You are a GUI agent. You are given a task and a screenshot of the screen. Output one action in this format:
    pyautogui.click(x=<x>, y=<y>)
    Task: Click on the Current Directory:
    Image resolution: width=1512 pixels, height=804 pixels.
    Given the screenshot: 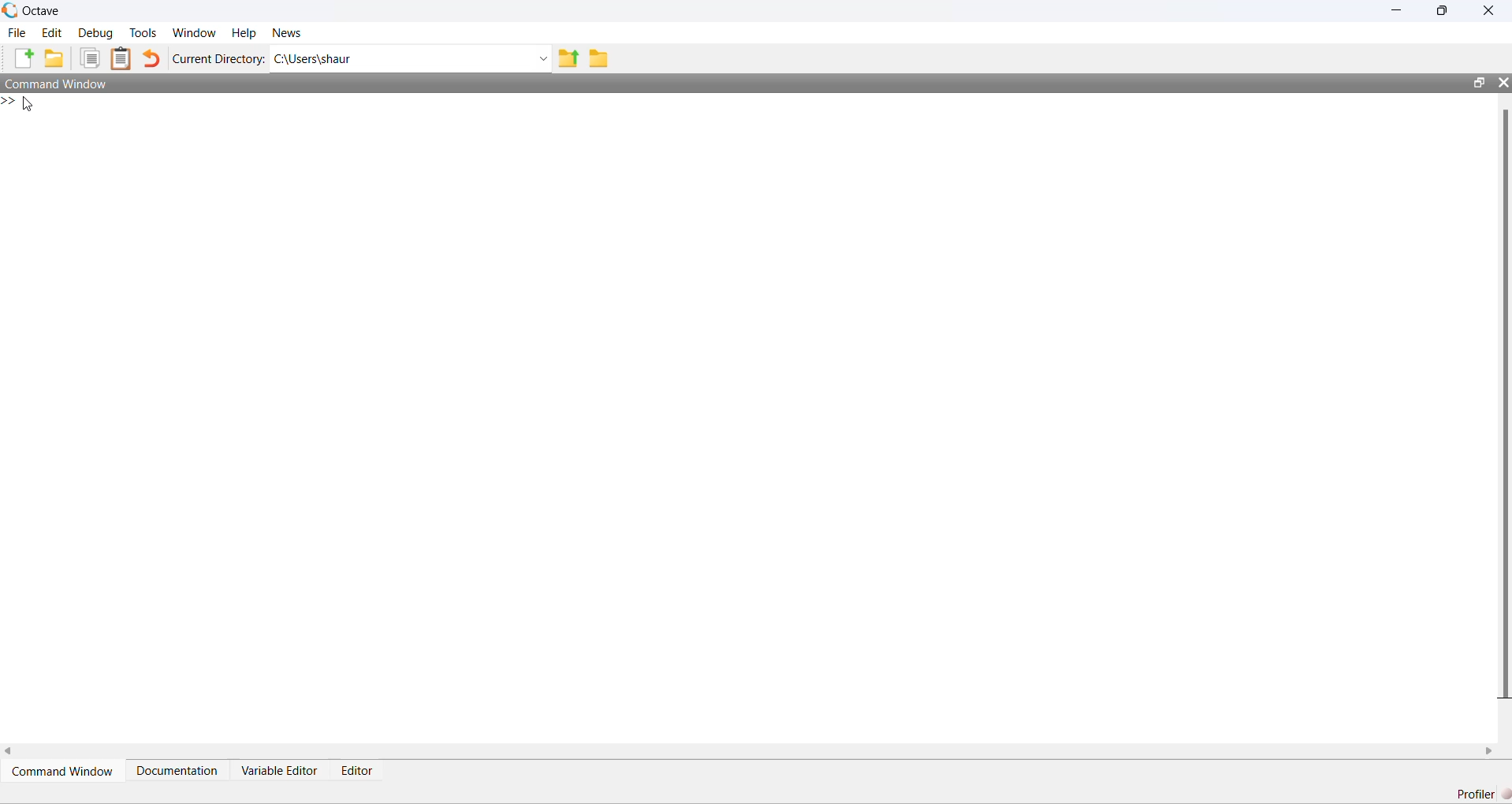 What is the action you would take?
    pyautogui.click(x=218, y=59)
    